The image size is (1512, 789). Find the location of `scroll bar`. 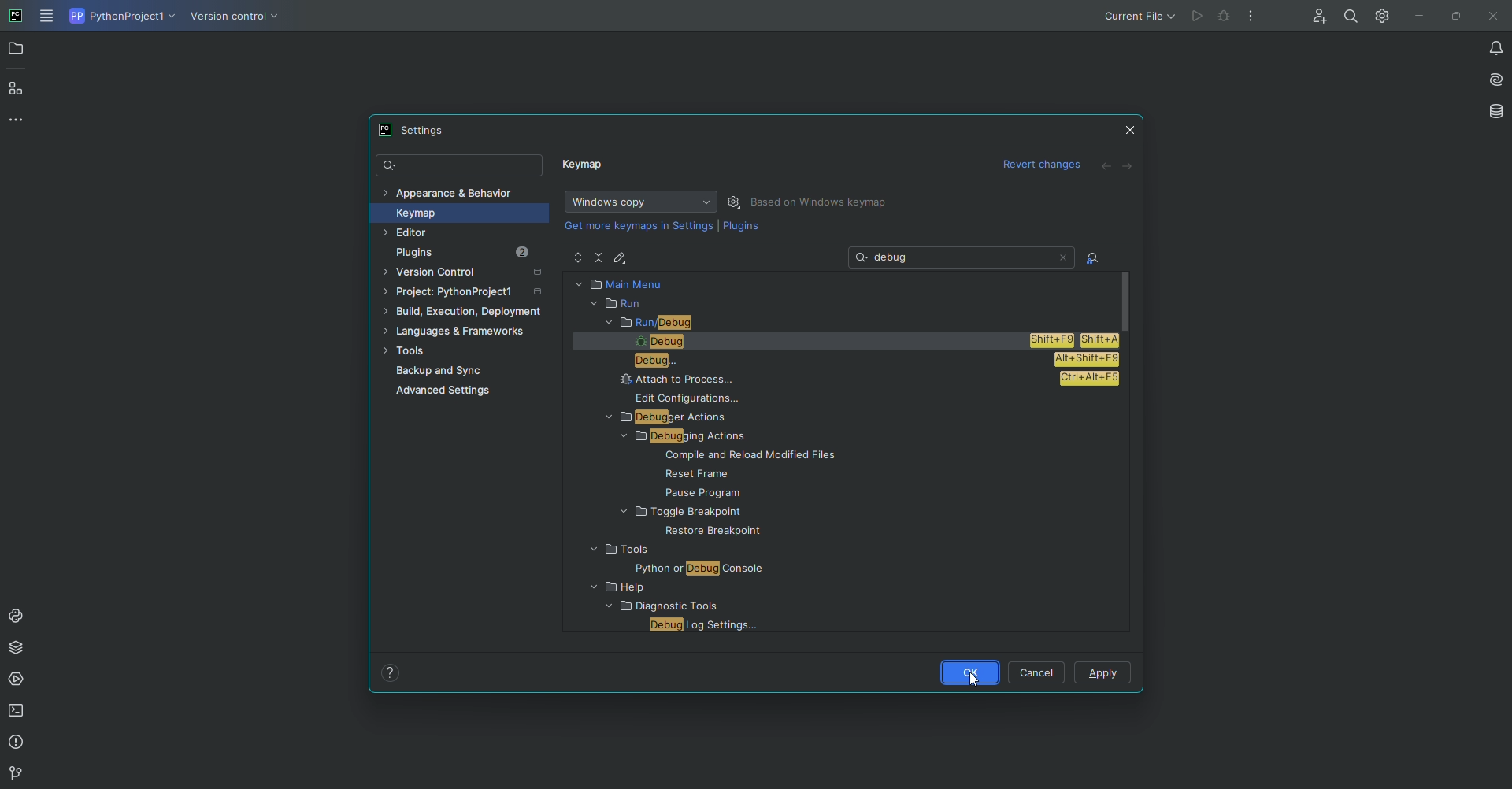

scroll bar is located at coordinates (1128, 299).